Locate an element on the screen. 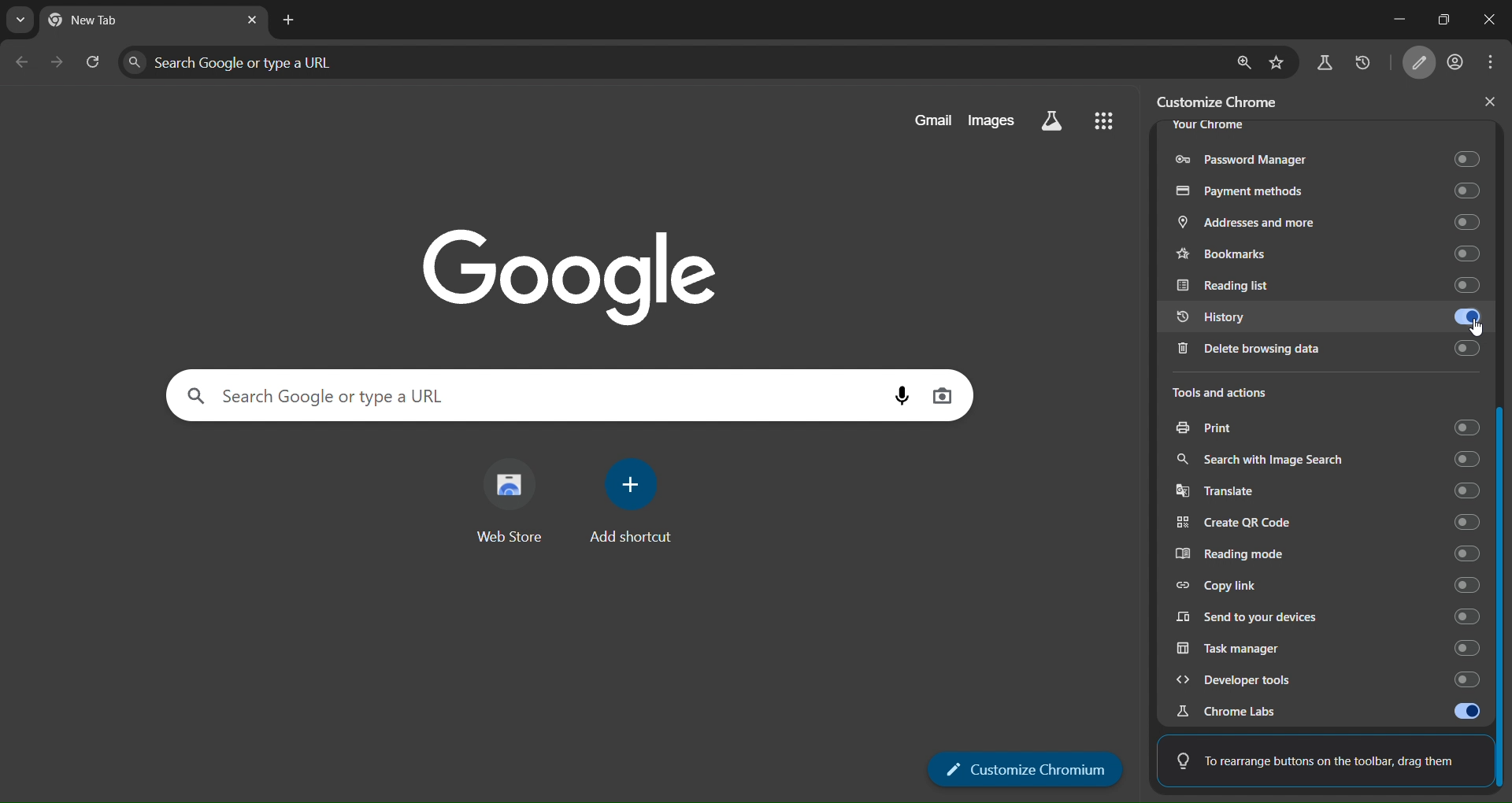 The height and width of the screenshot is (803, 1512). close tab is located at coordinates (252, 20).